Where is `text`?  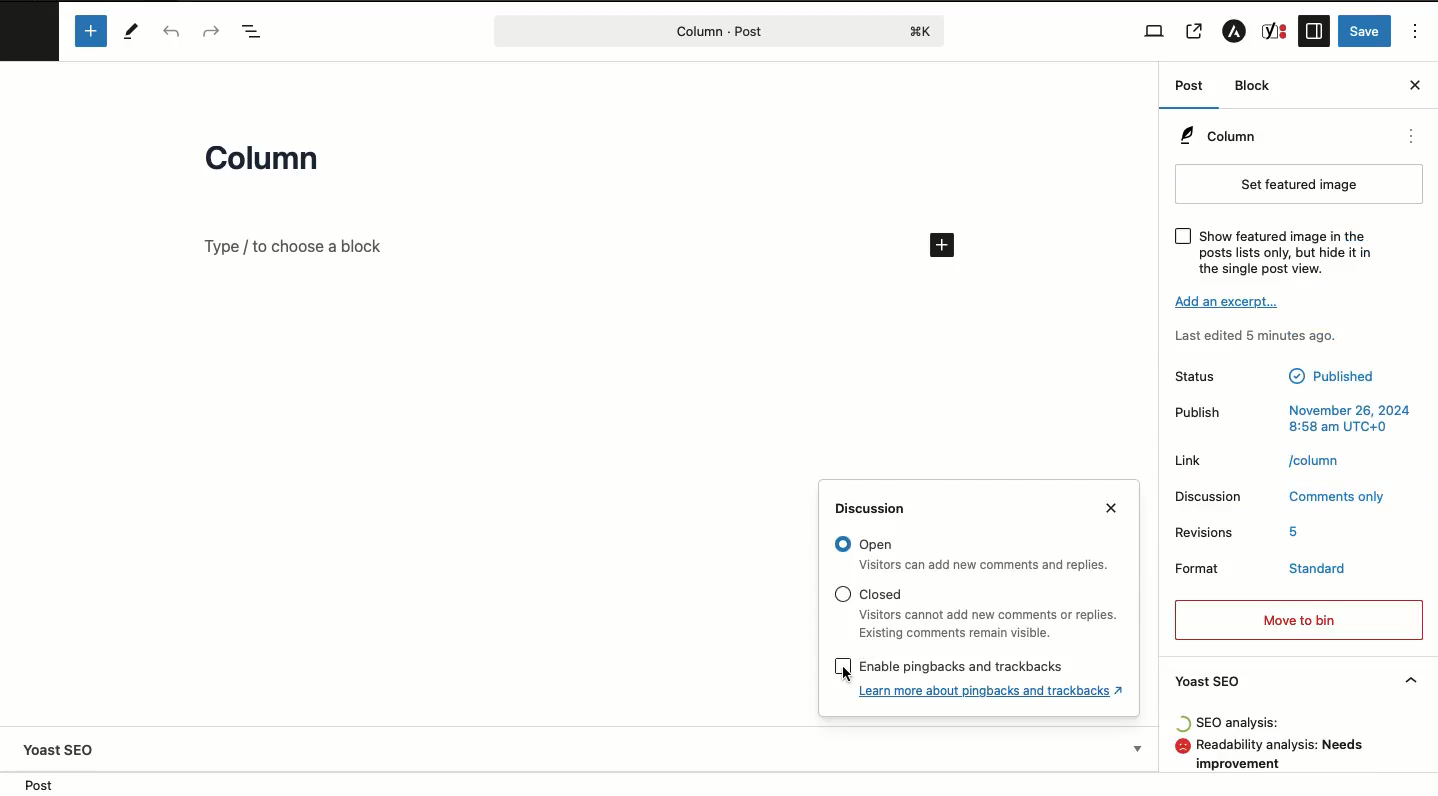
text is located at coordinates (1297, 530).